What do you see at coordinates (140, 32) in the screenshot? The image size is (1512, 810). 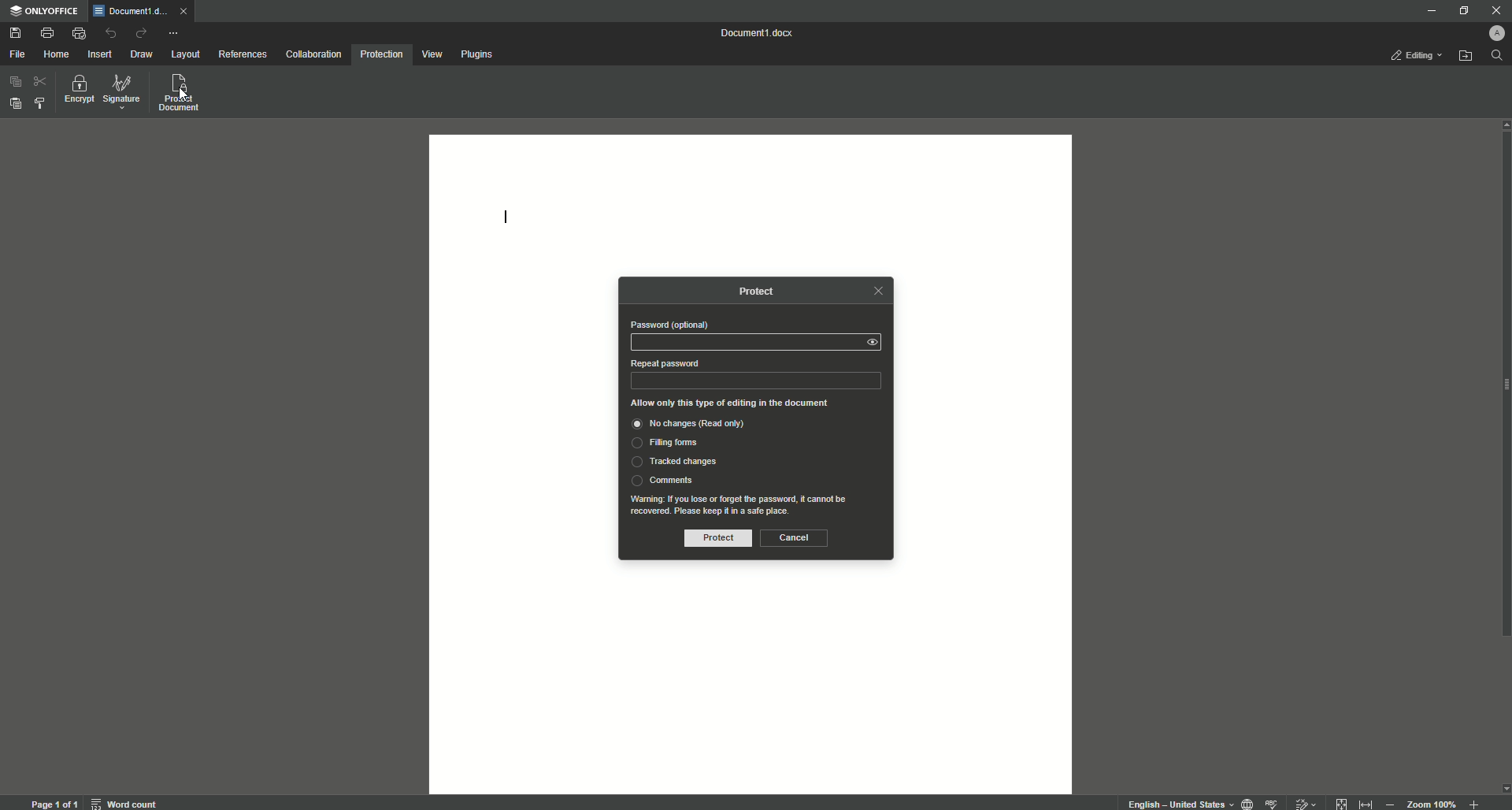 I see `Redo` at bounding box center [140, 32].